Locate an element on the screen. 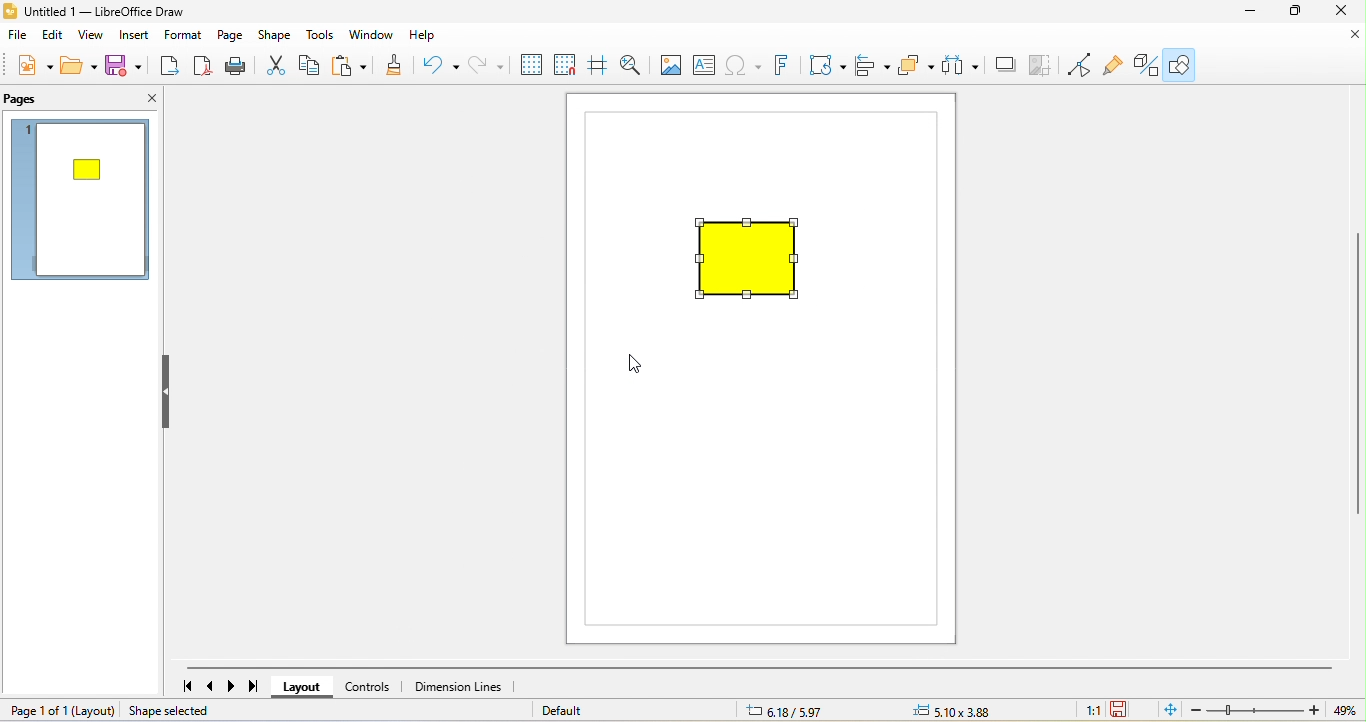  tools is located at coordinates (321, 36).